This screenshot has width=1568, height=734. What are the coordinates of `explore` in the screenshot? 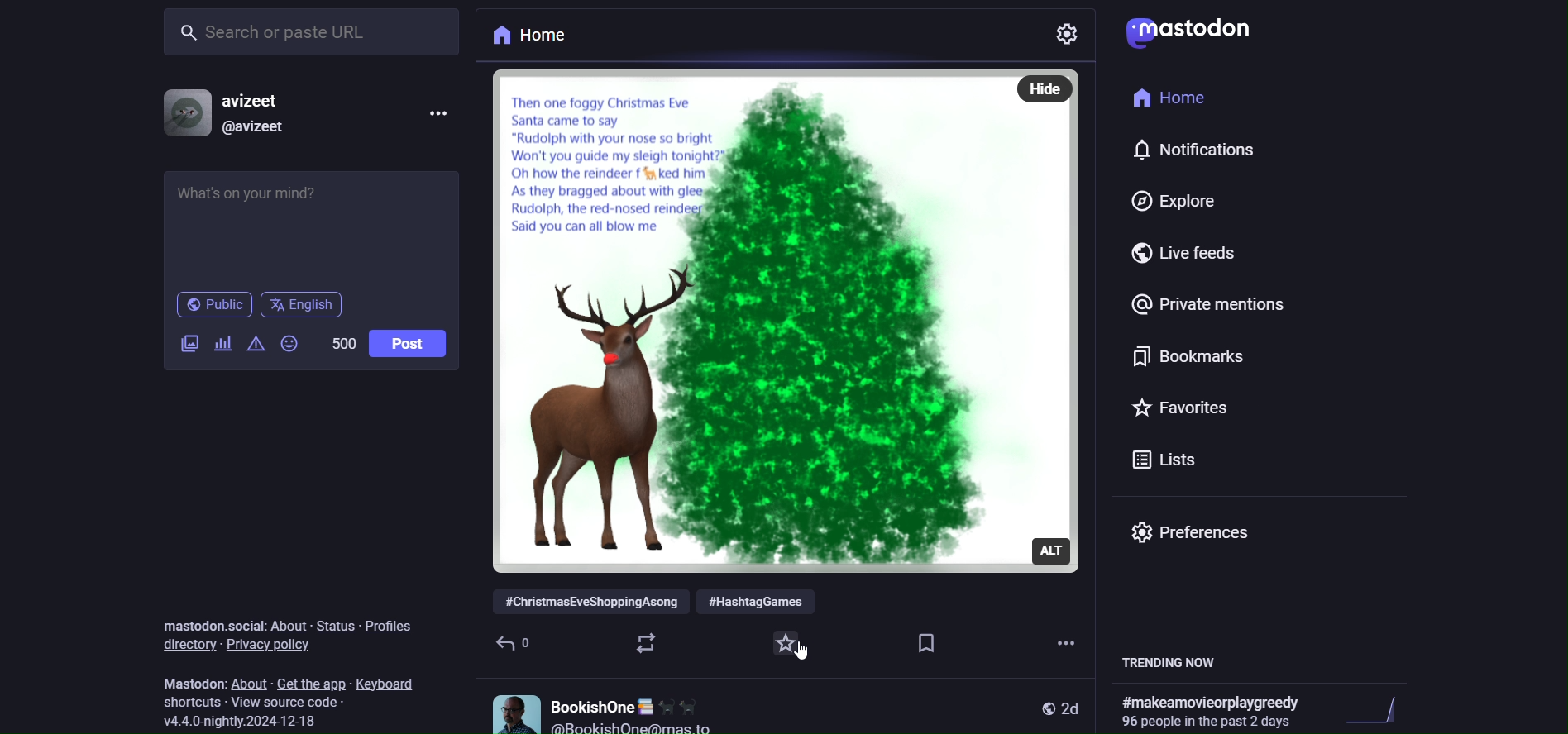 It's located at (1162, 201).